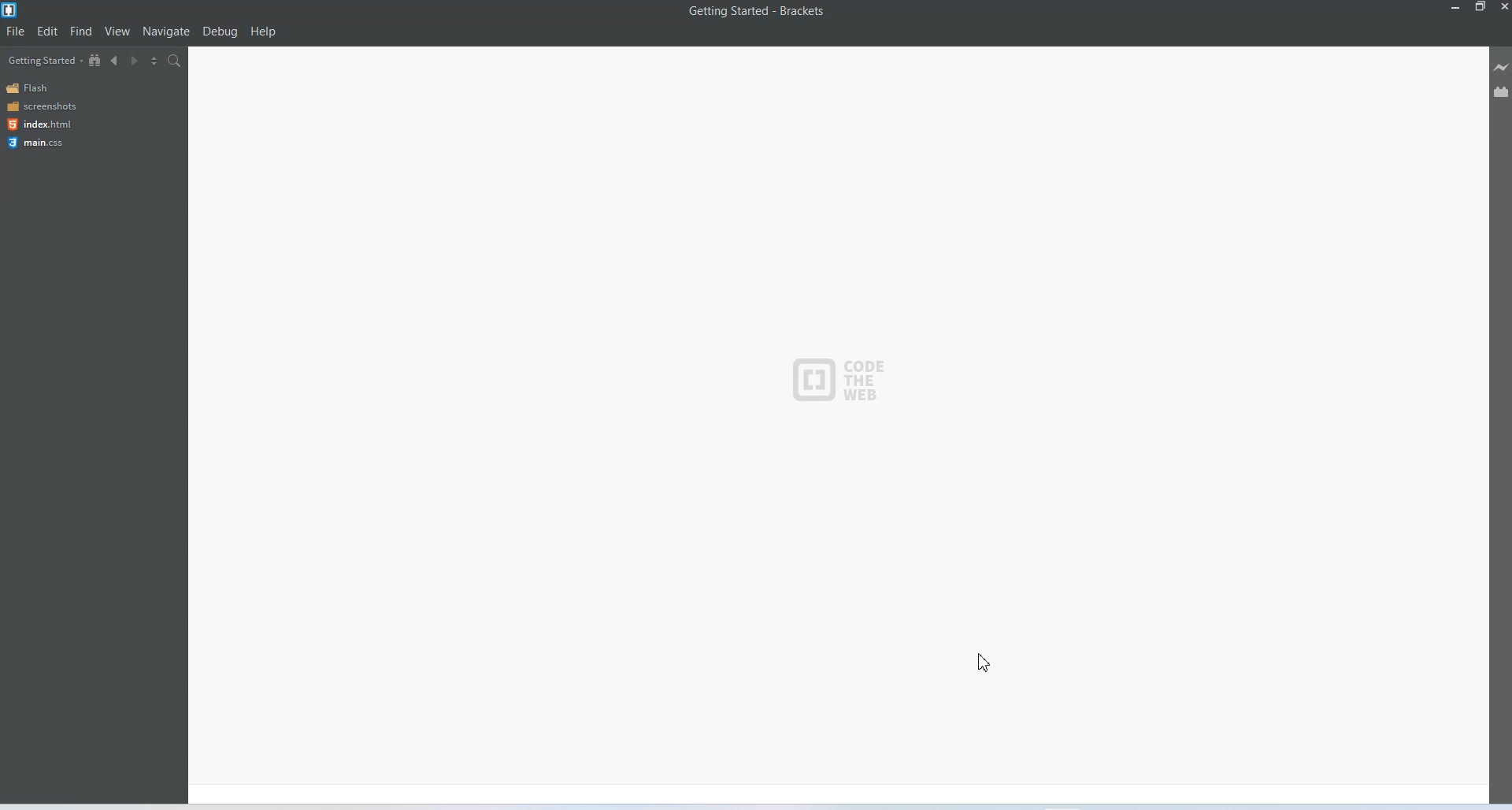  I want to click on Find, so click(81, 32).